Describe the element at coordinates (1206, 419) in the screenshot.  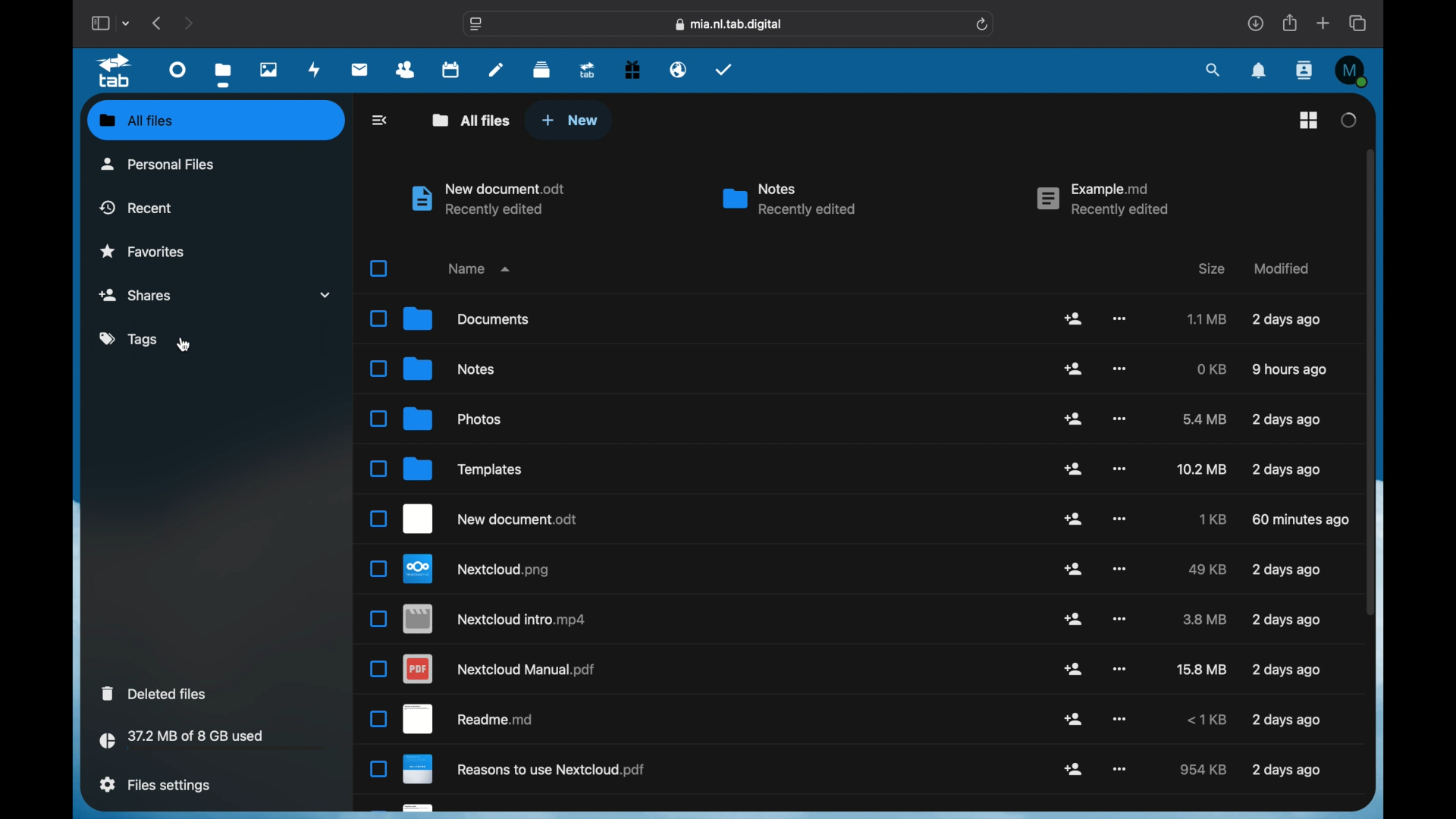
I see `size` at that location.